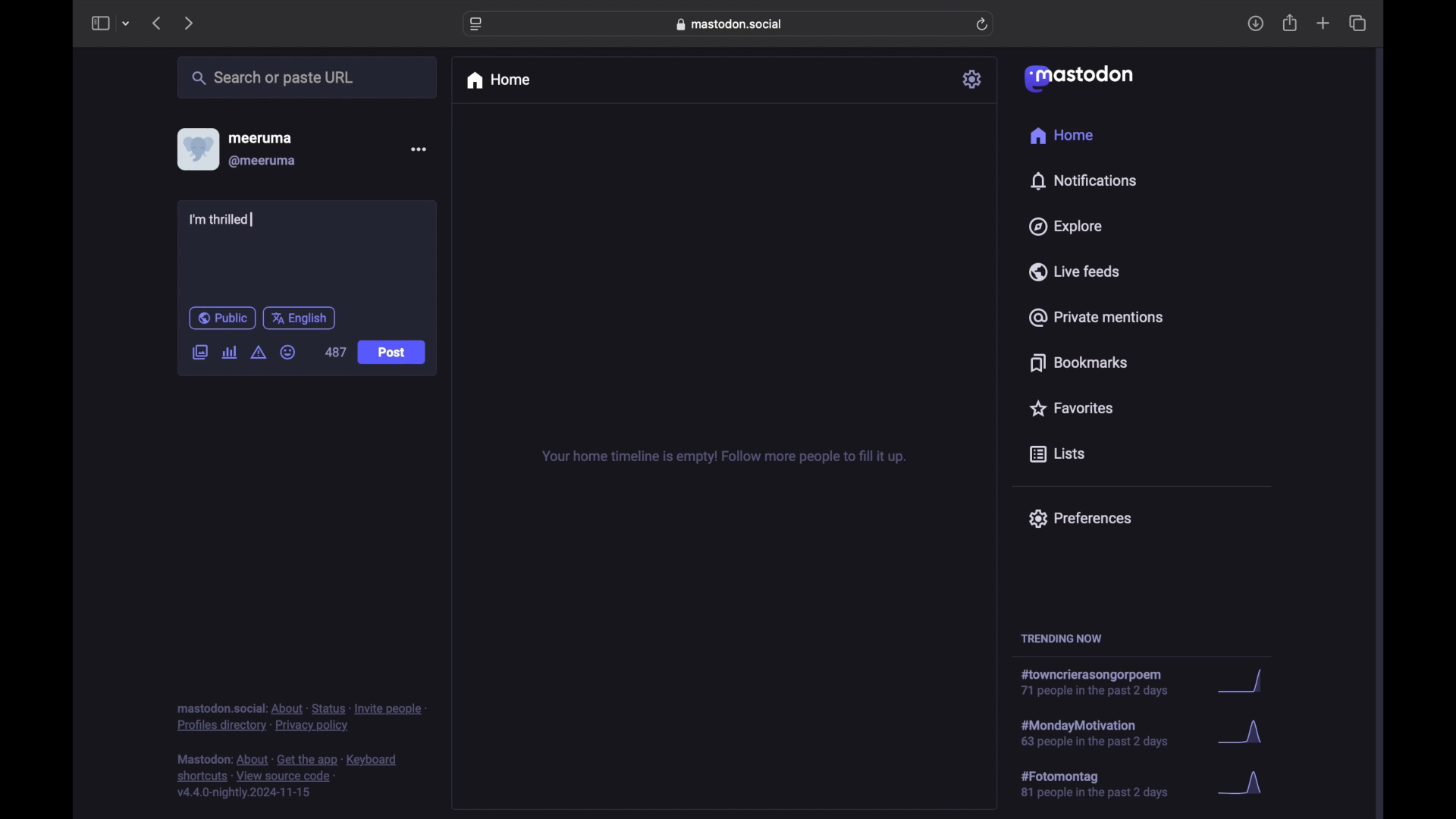  Describe the element at coordinates (1080, 519) in the screenshot. I see `preferences` at that location.